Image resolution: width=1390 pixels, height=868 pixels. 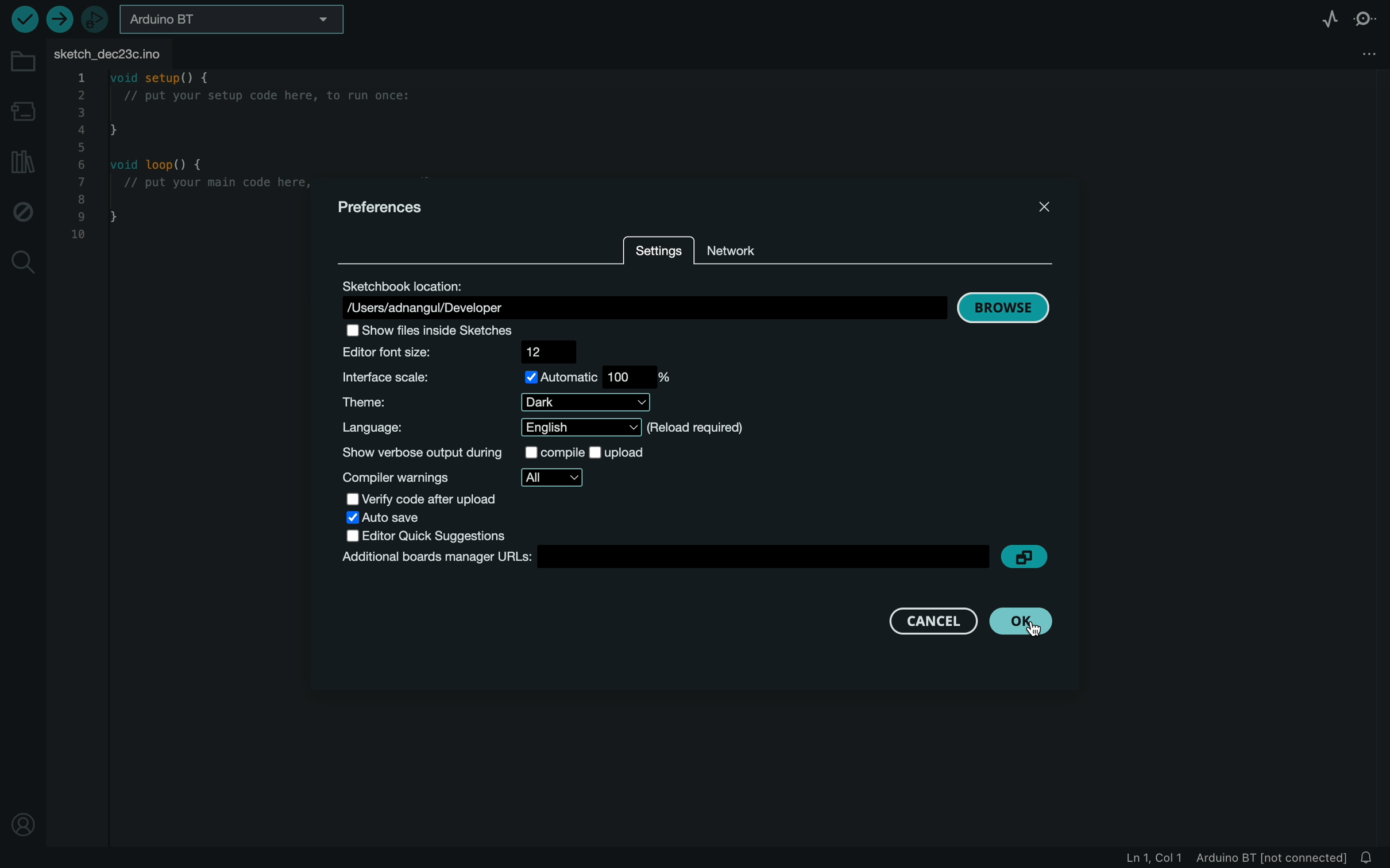 I want to click on serial plotter, so click(x=1323, y=18).